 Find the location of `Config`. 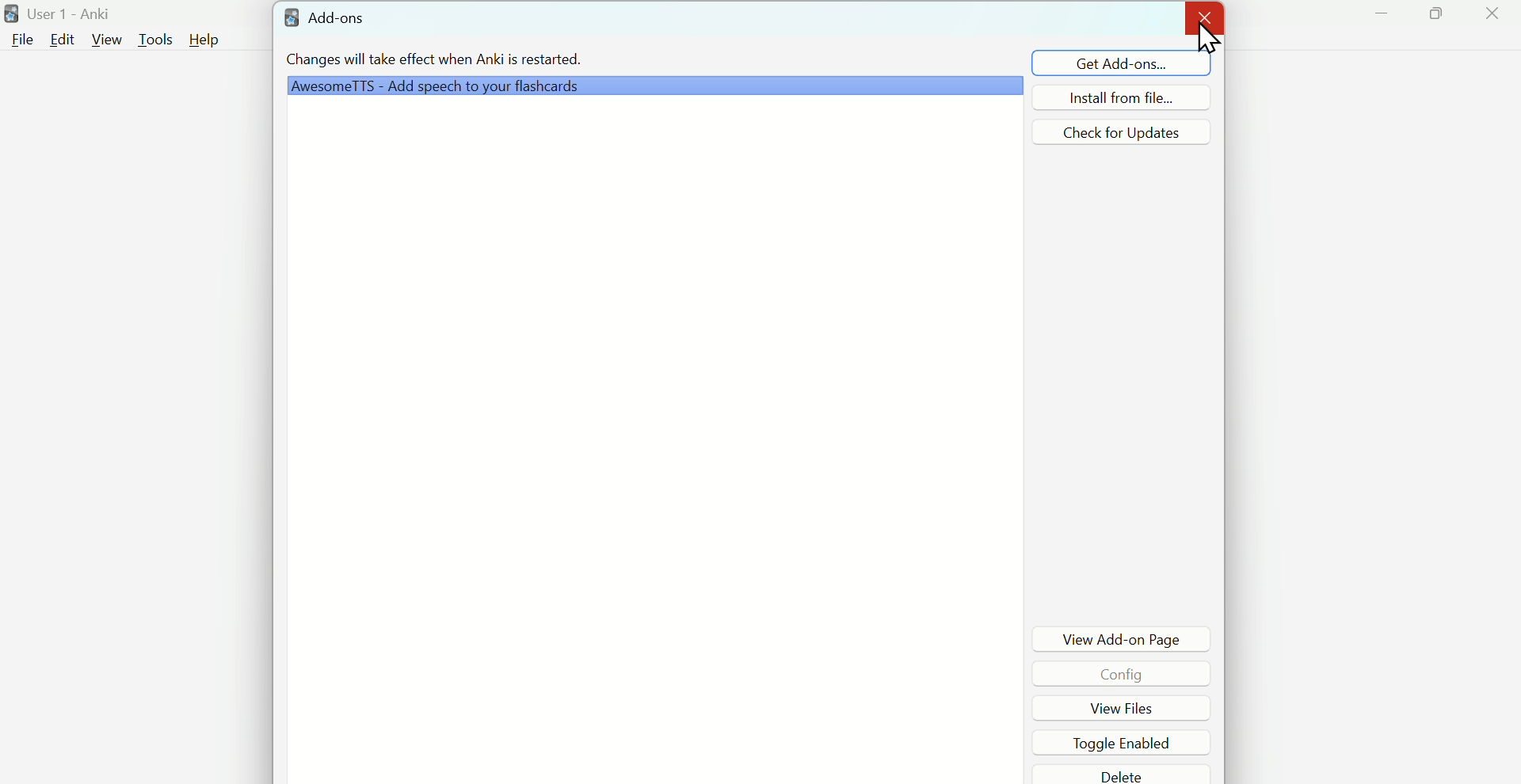

Config is located at coordinates (1116, 675).